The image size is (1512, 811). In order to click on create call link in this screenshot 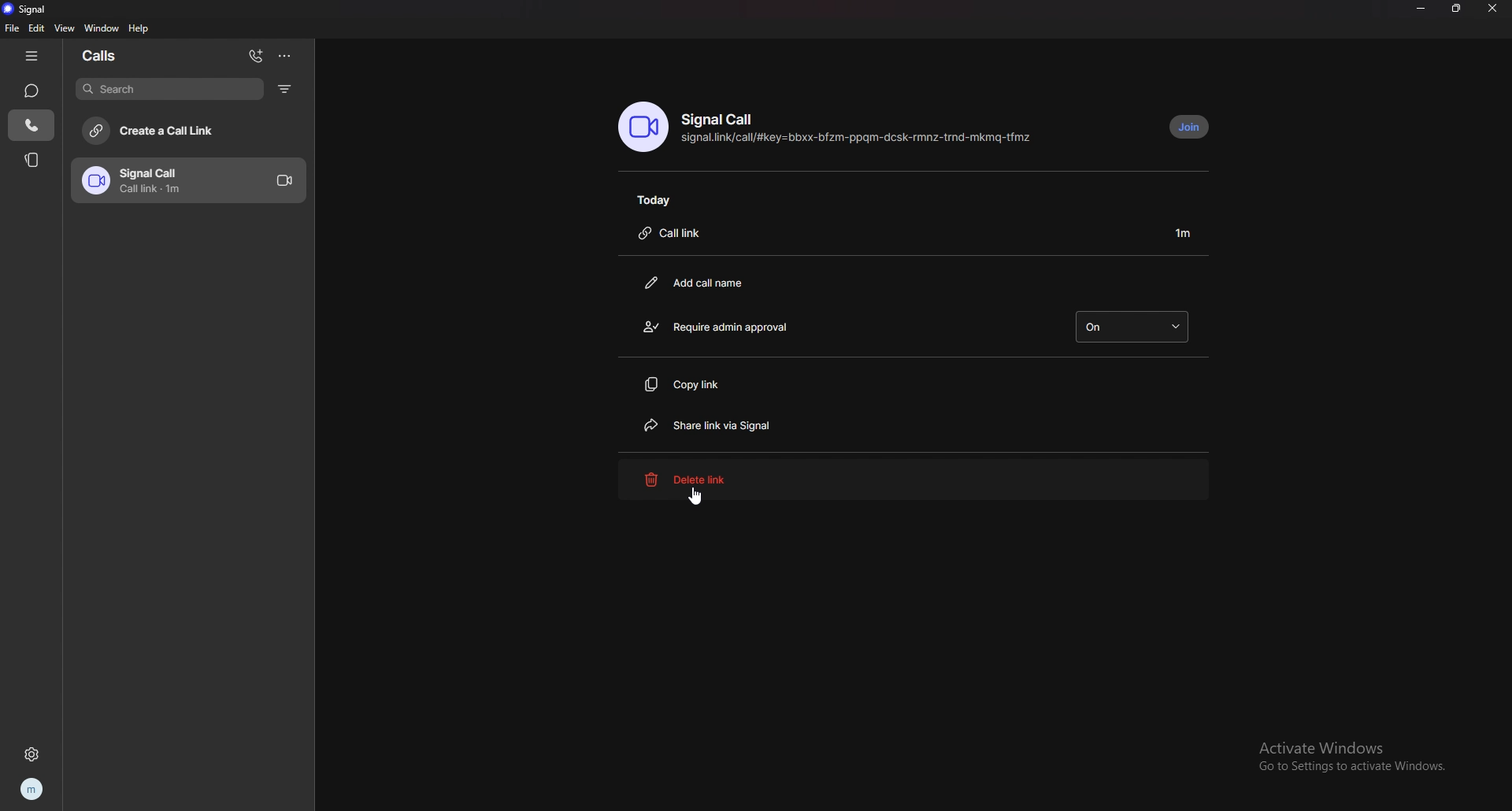, I will do `click(194, 131)`.